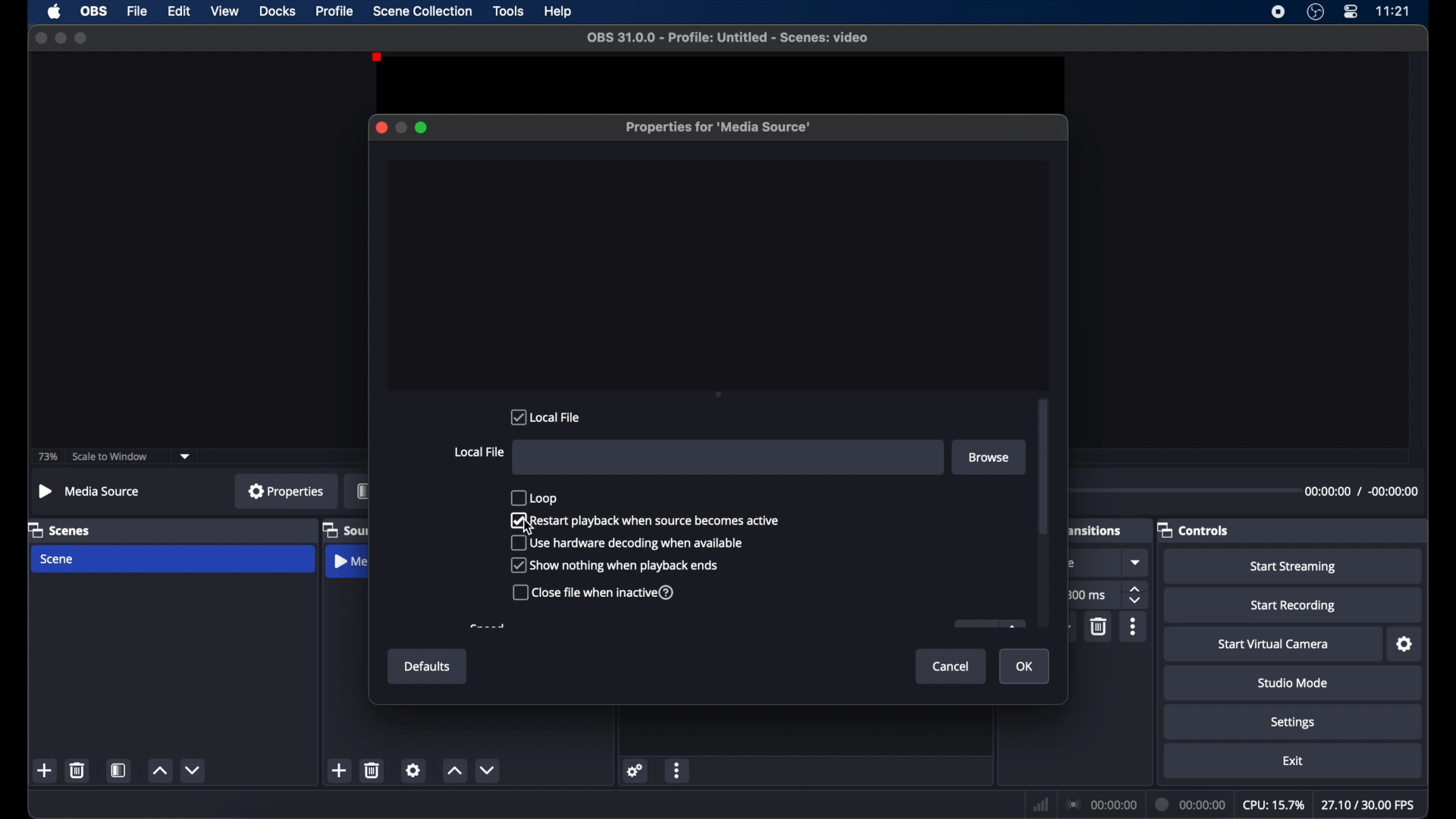 This screenshot has width=1456, height=819. What do you see at coordinates (1362, 491) in the screenshot?
I see `timestamp` at bounding box center [1362, 491].